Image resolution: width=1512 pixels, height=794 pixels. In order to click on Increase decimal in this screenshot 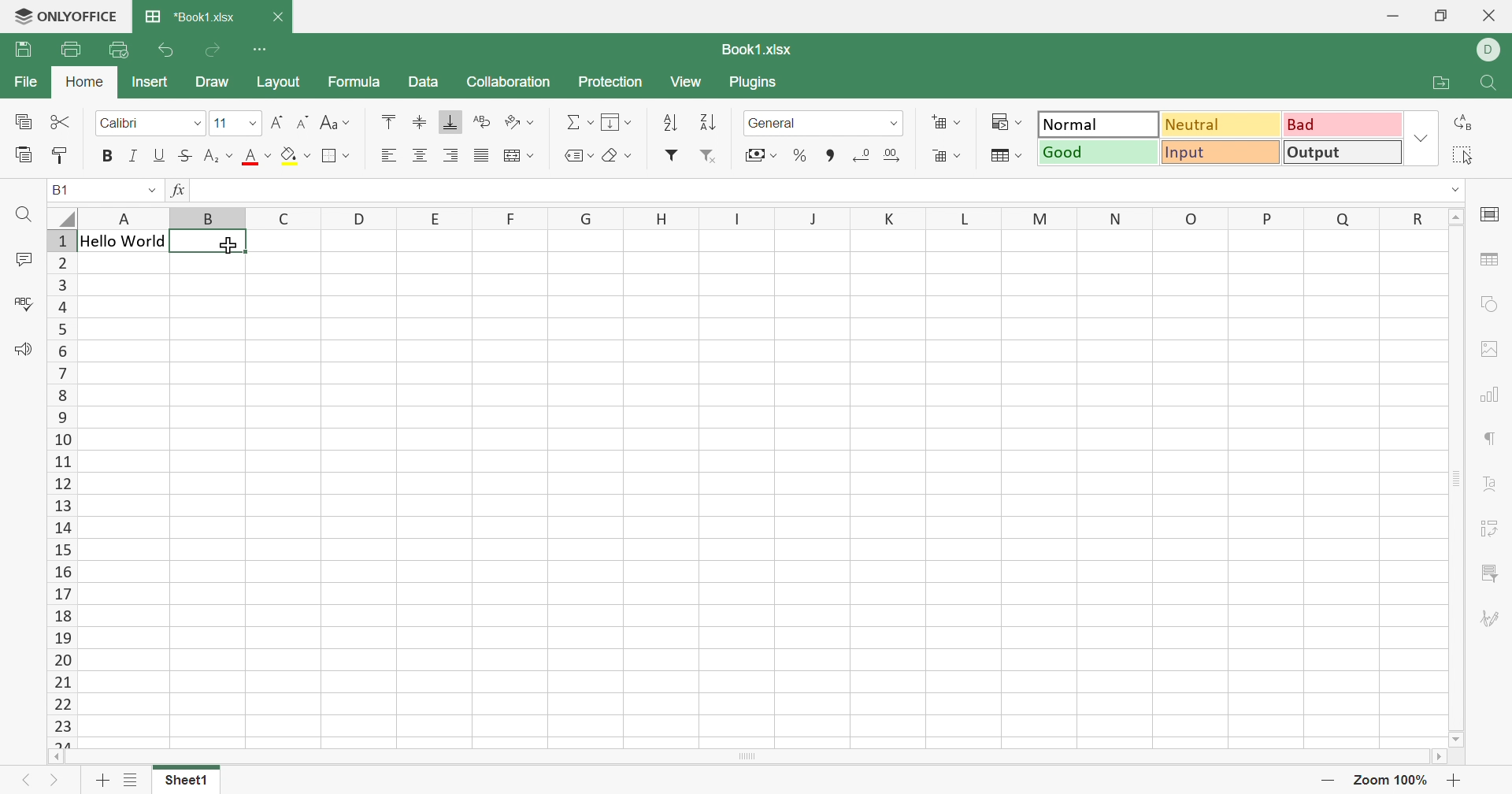, I will do `click(895, 155)`.